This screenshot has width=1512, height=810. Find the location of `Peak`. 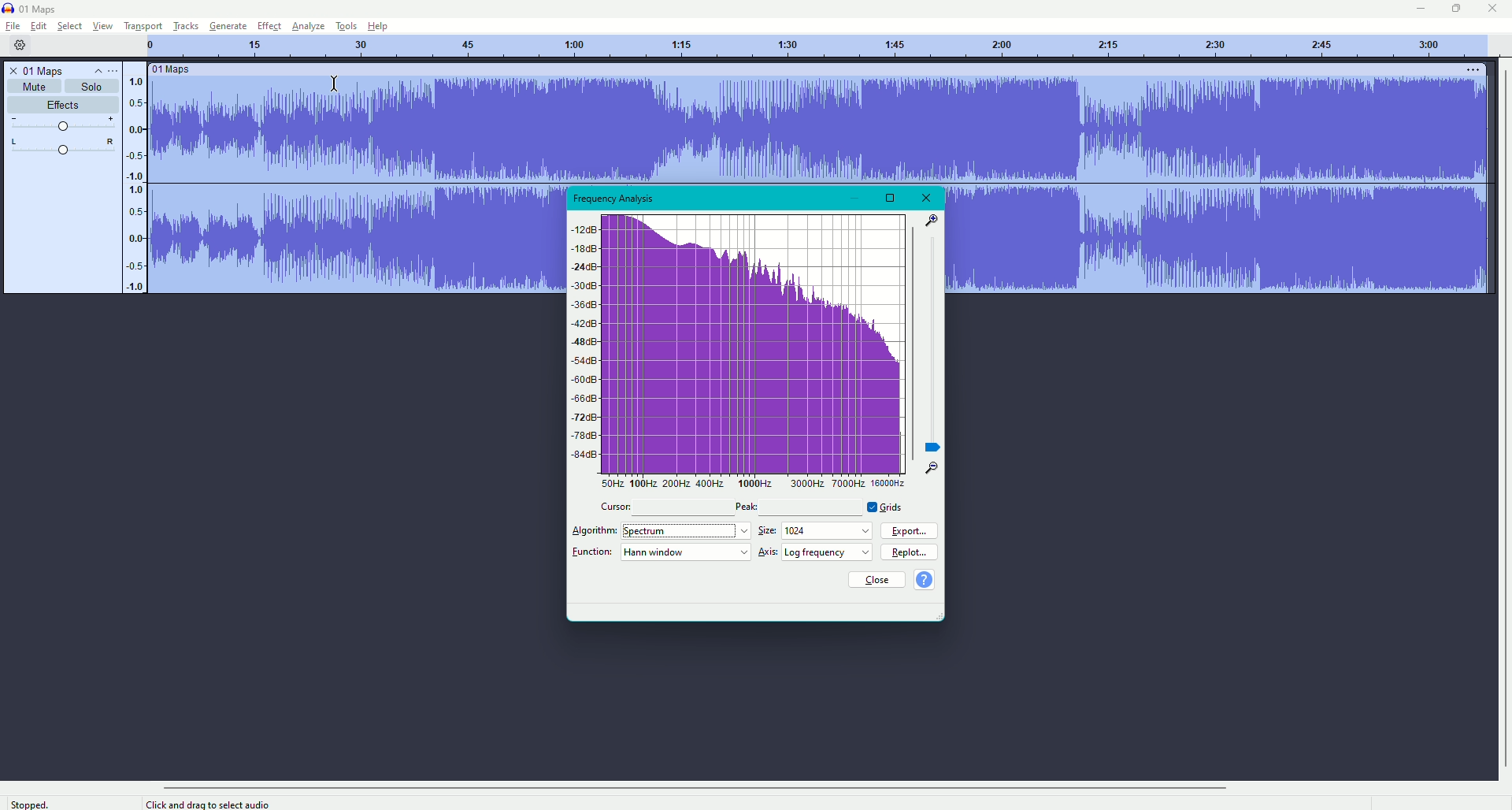

Peak is located at coordinates (750, 507).